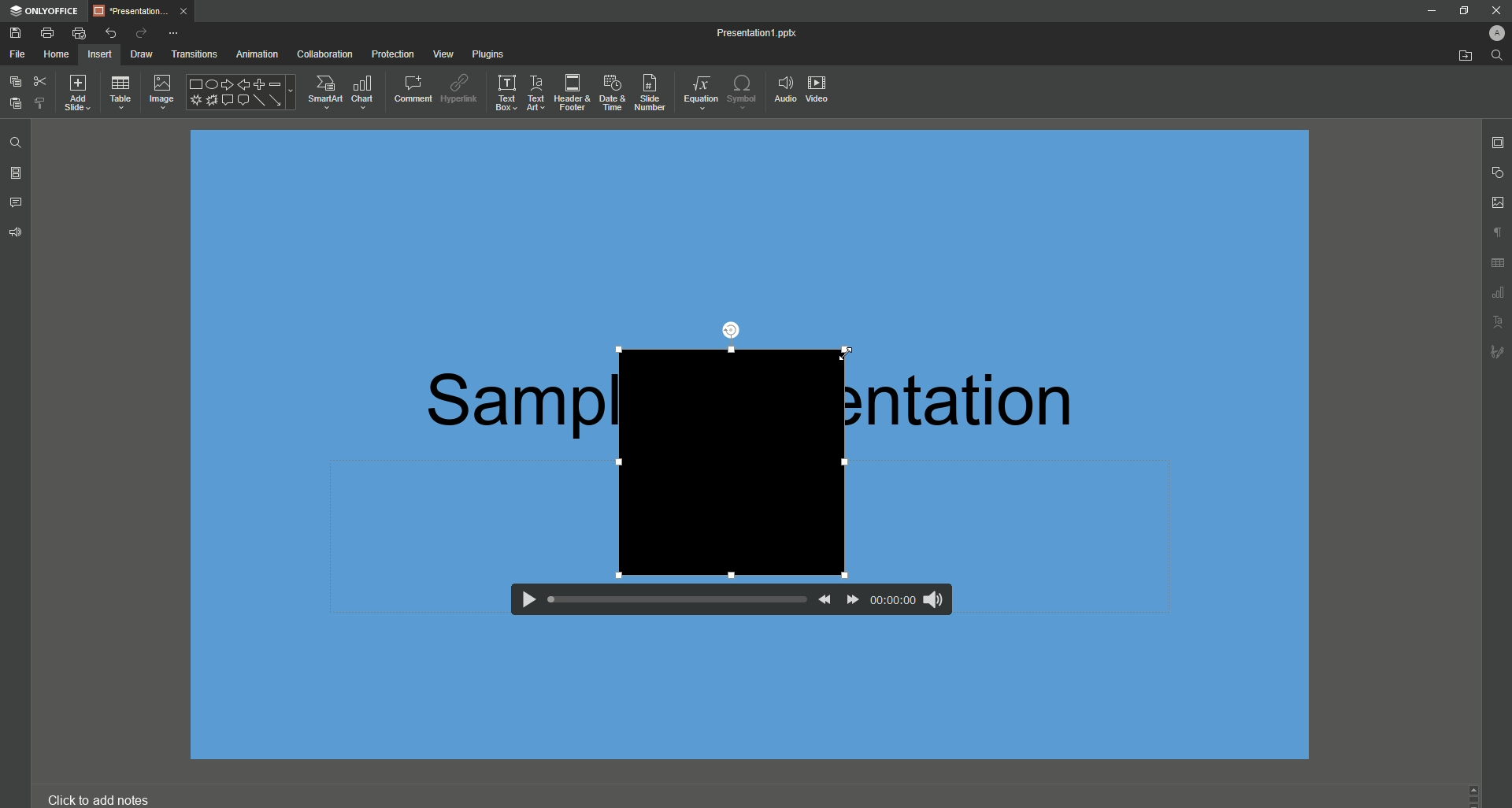  I want to click on File, so click(17, 54).